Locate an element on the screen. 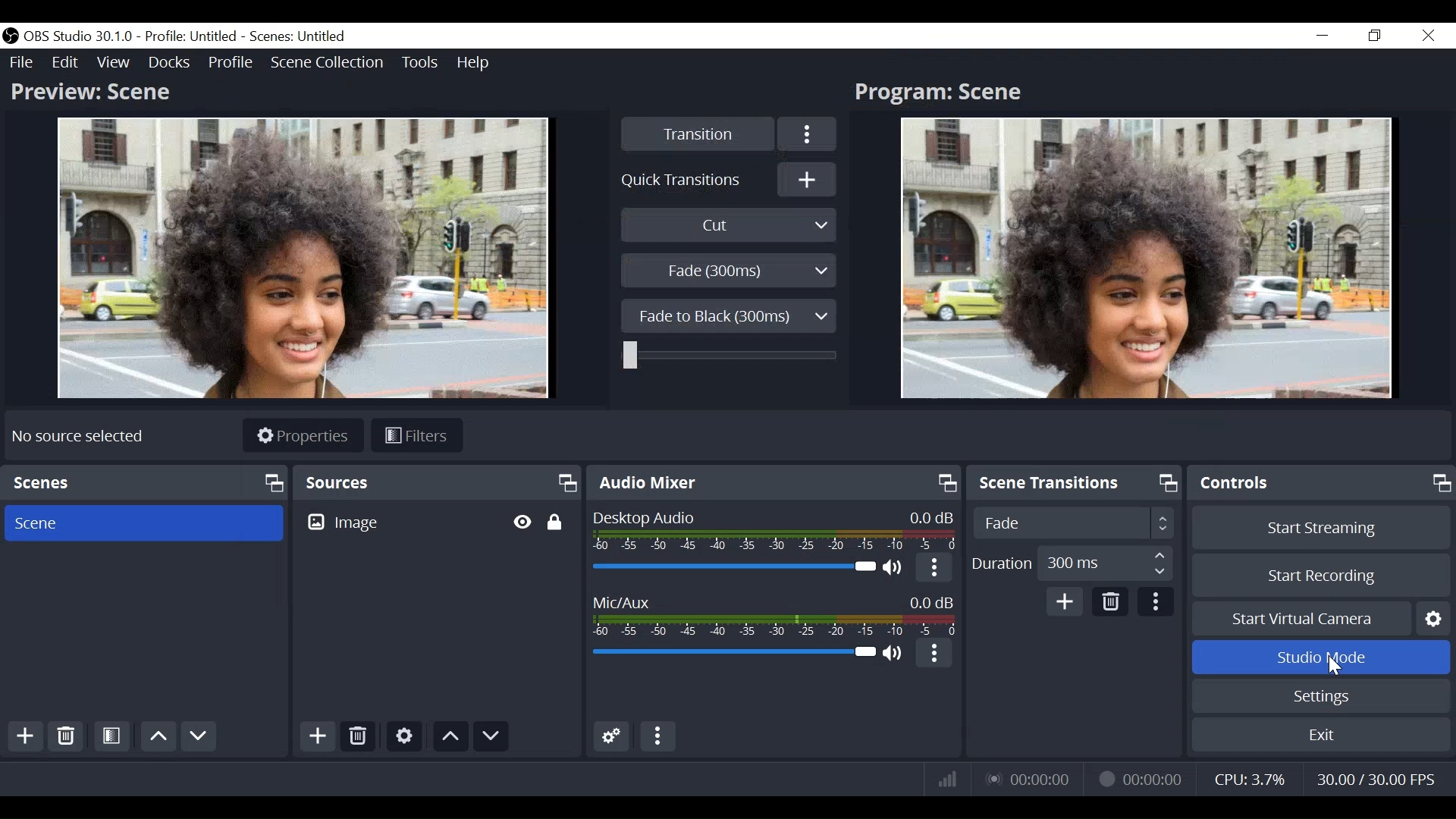 This screenshot has width=1456, height=819. No source available is located at coordinates (78, 437).